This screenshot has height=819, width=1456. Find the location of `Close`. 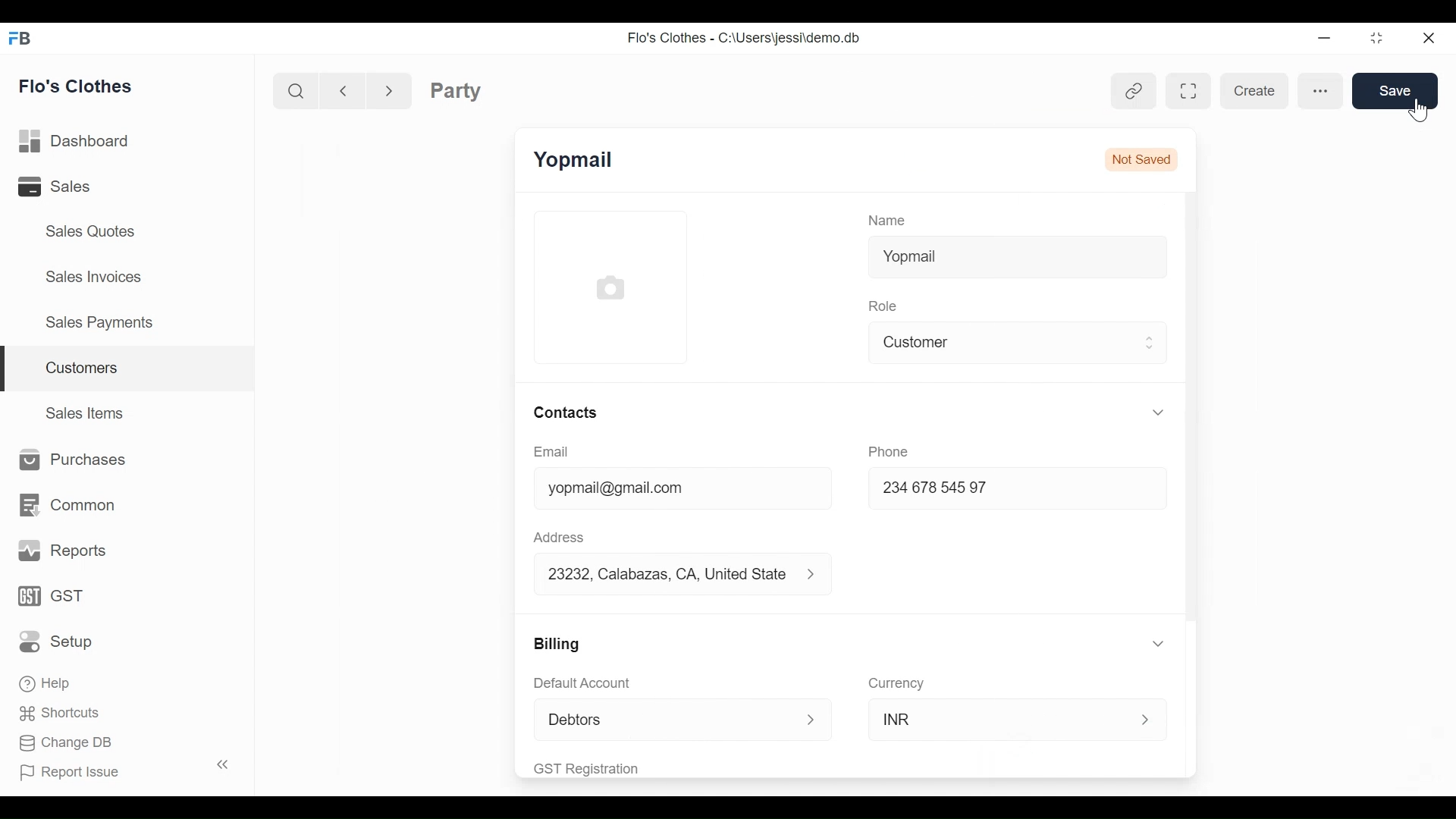

Close is located at coordinates (1426, 37).